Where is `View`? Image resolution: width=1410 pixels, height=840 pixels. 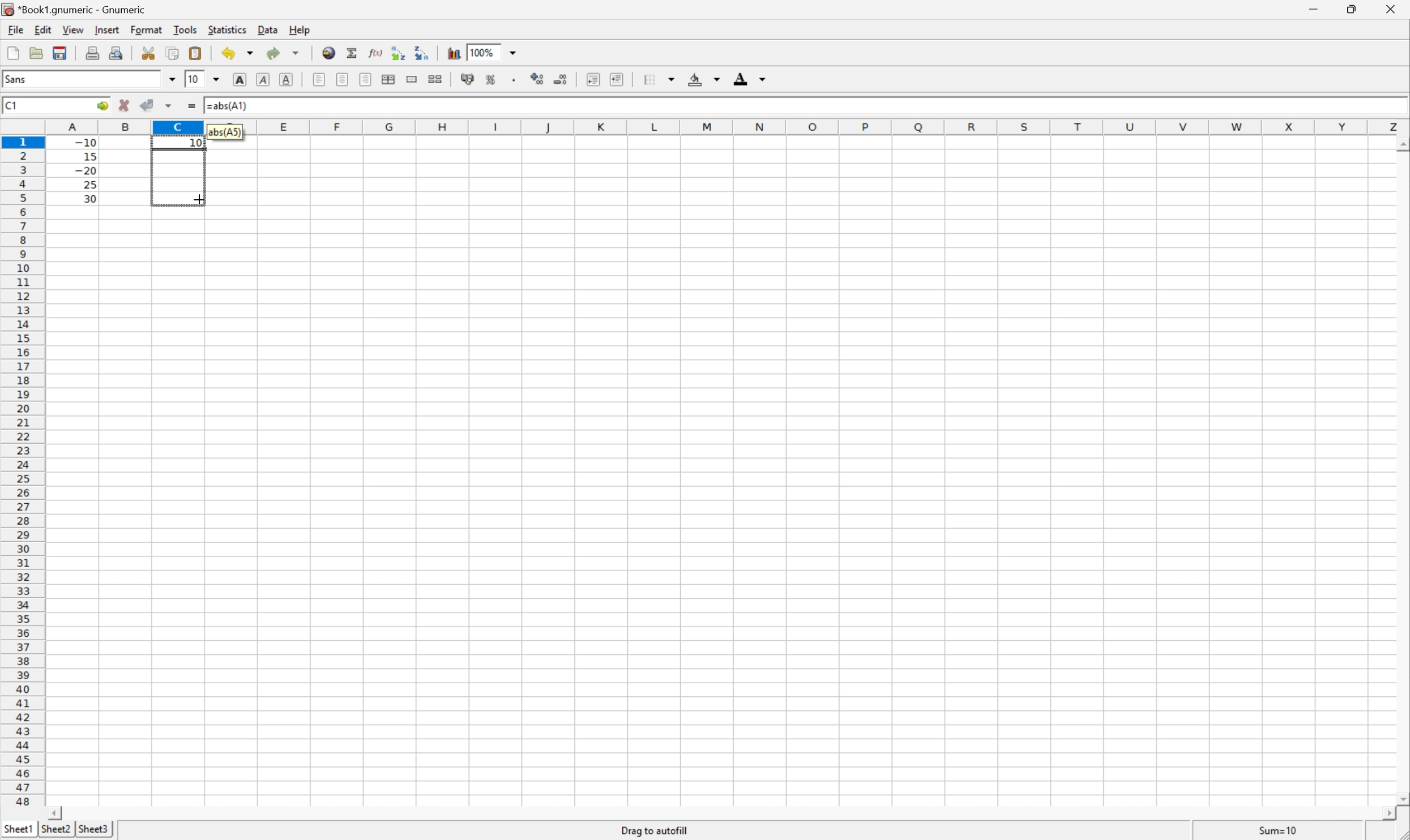 View is located at coordinates (73, 30).